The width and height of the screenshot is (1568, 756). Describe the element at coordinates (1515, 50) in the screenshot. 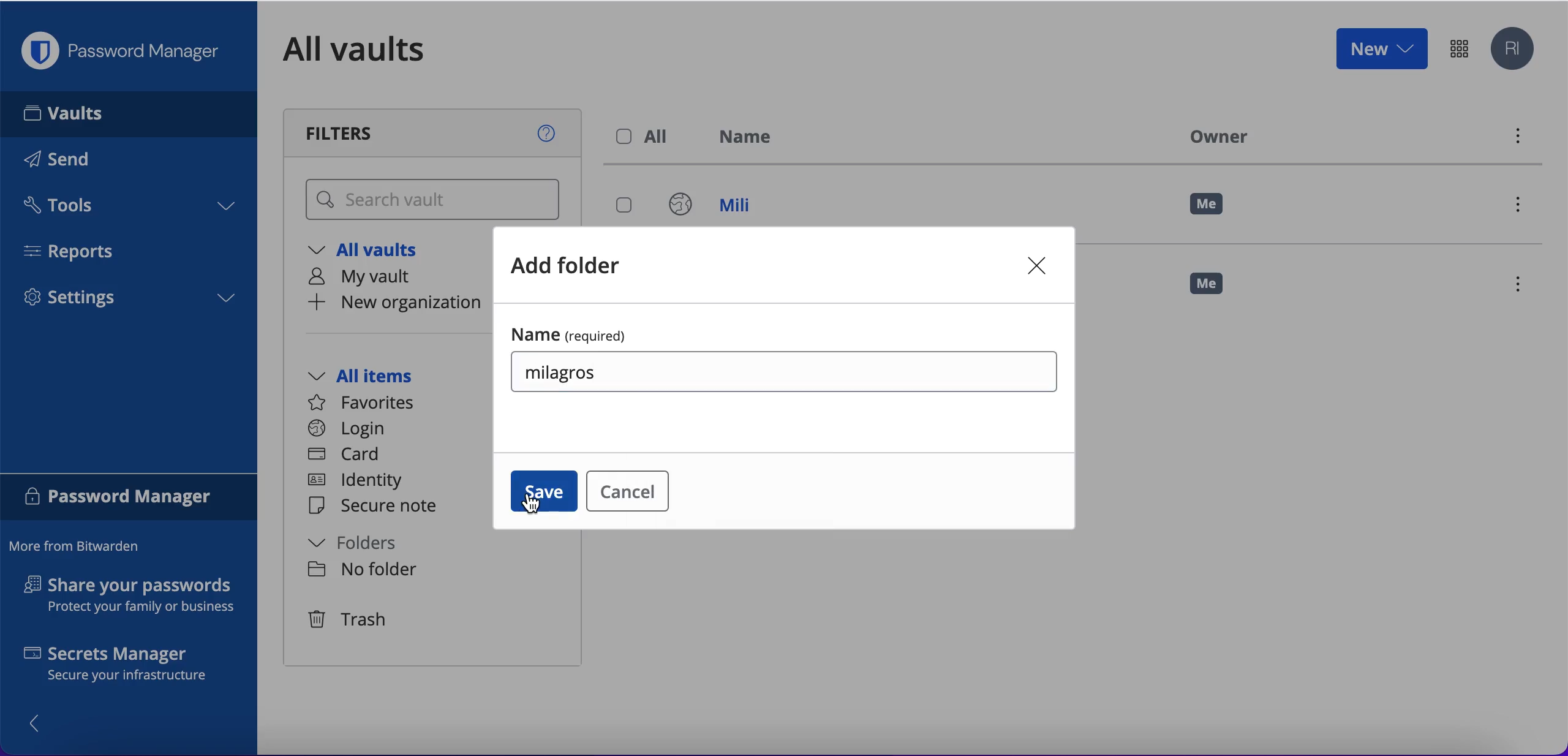

I see `account` at that location.